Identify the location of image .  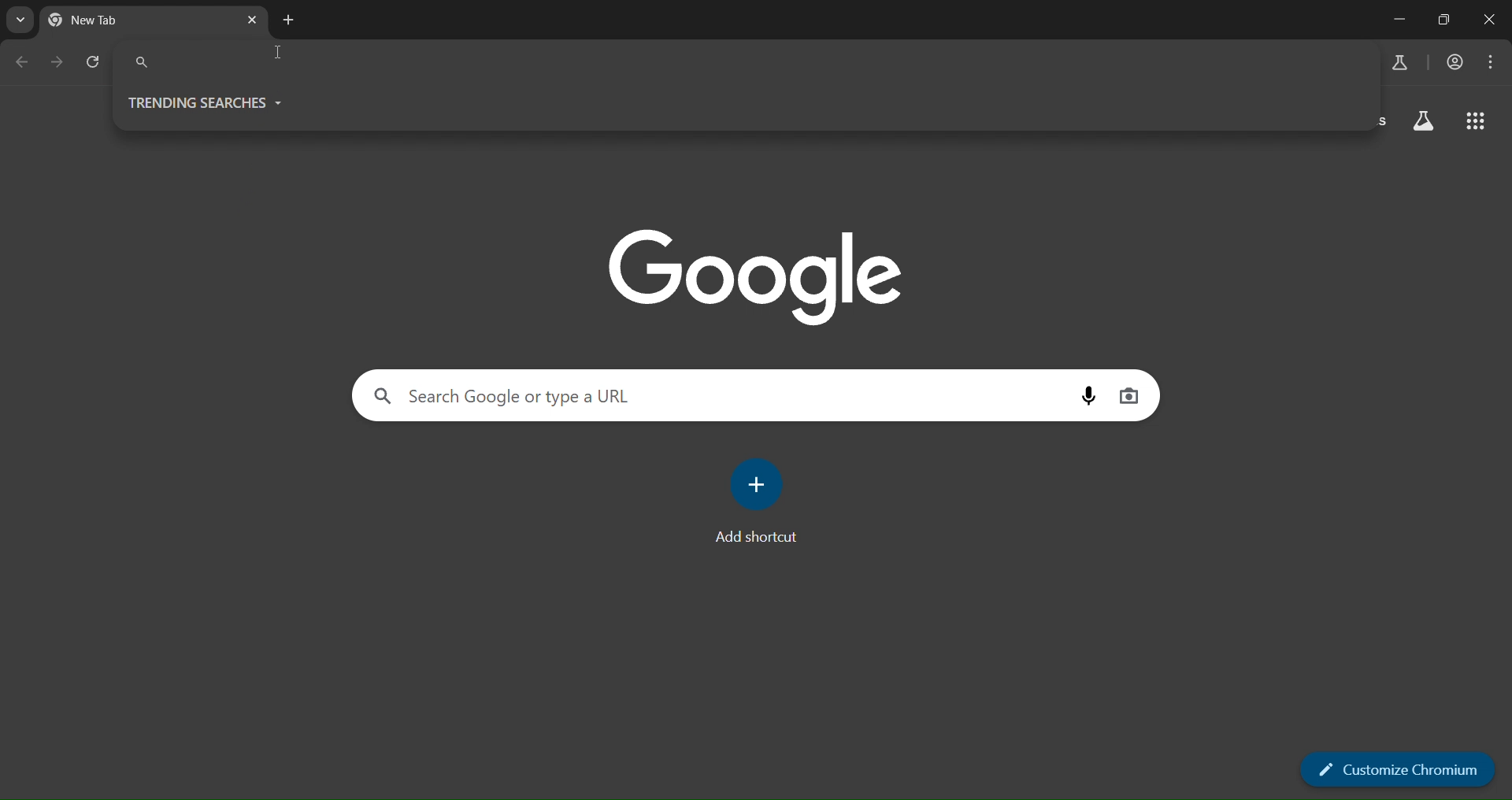
(757, 272).